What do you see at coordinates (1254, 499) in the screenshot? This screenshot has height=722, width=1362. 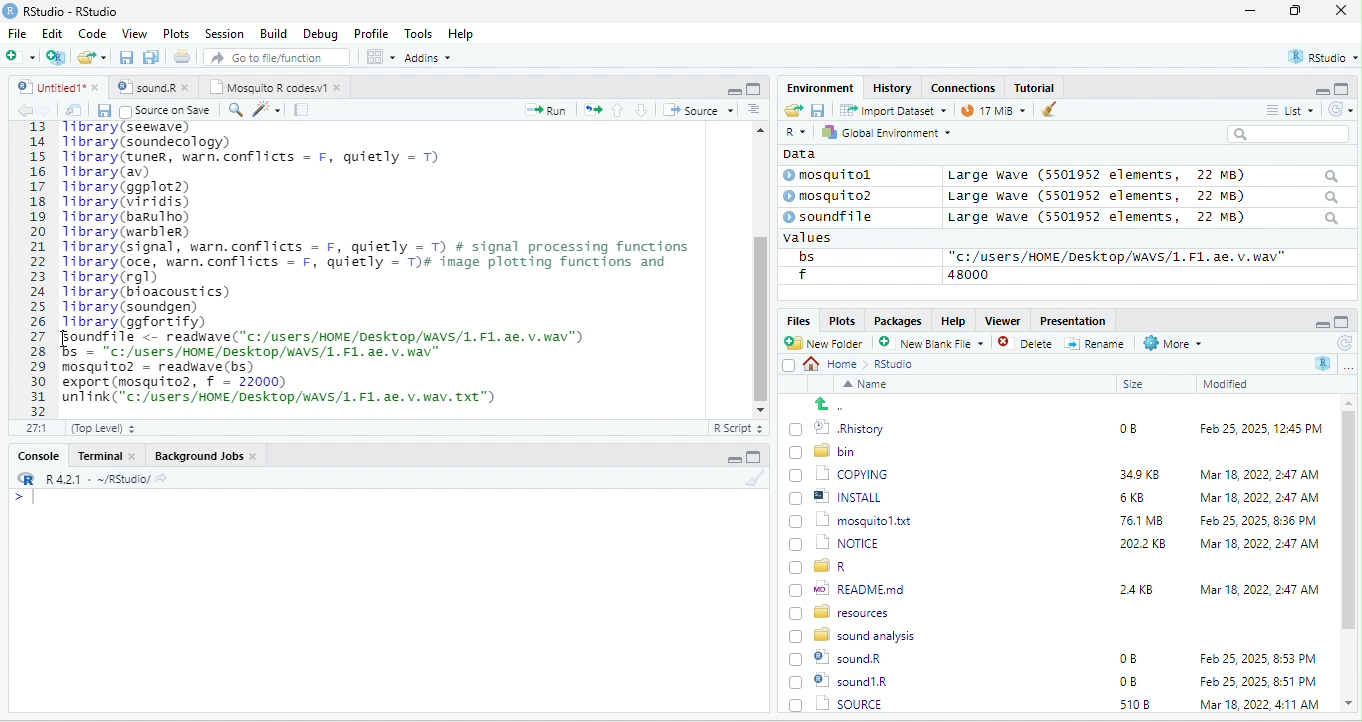 I see `Mar 18, 2022, 2:47 AM` at bounding box center [1254, 499].